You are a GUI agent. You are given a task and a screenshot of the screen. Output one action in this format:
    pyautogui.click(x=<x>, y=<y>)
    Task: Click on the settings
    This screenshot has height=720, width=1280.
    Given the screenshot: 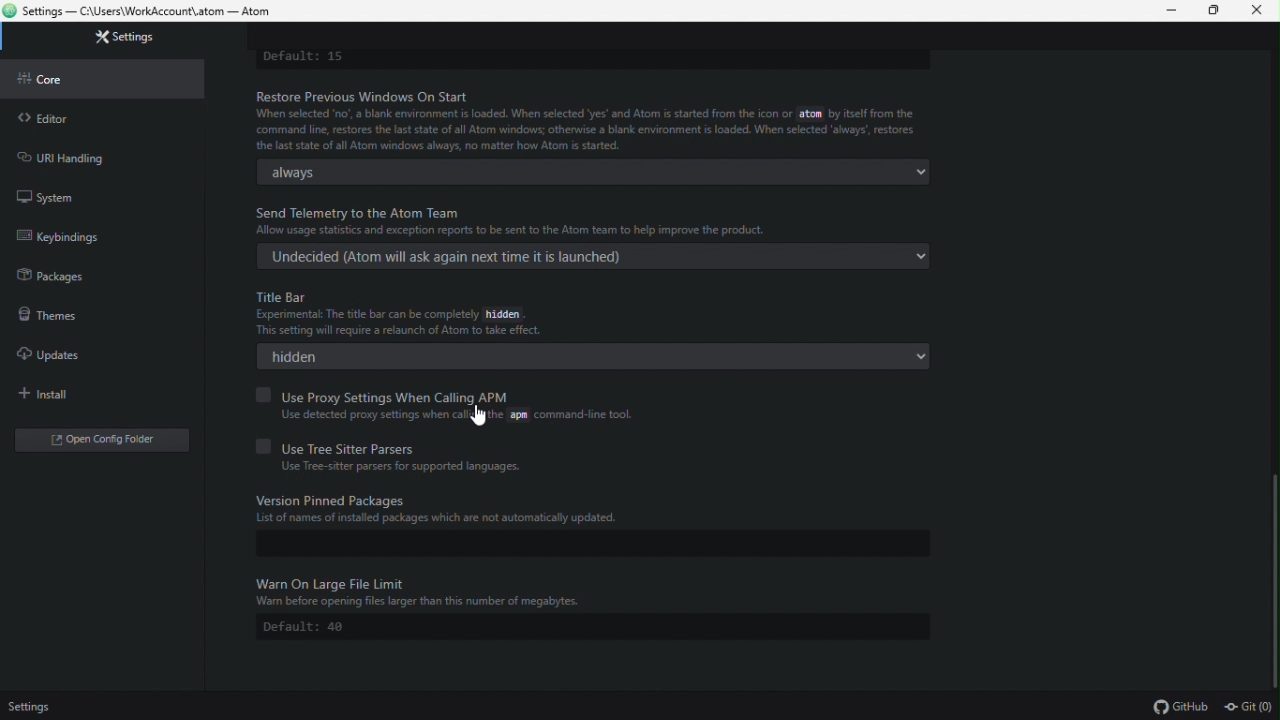 What is the action you would take?
    pyautogui.click(x=31, y=708)
    